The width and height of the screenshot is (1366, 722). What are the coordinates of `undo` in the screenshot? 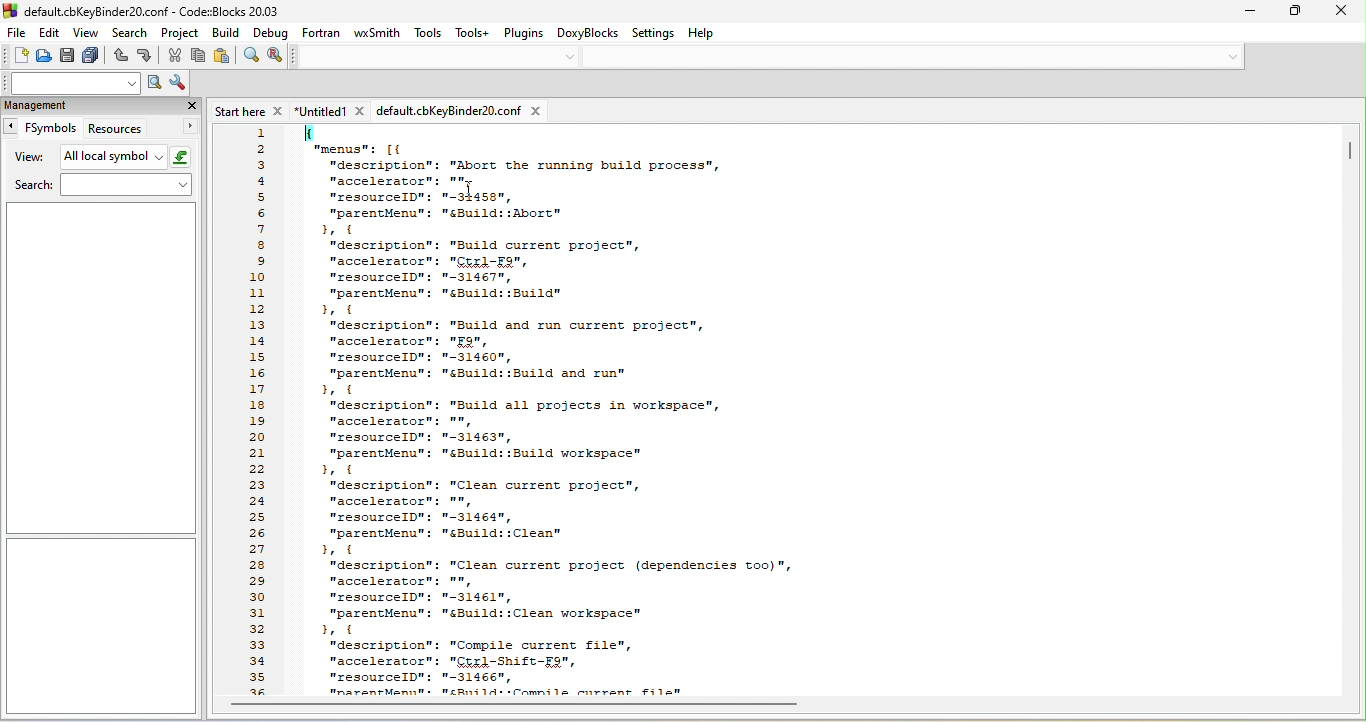 It's located at (120, 57).